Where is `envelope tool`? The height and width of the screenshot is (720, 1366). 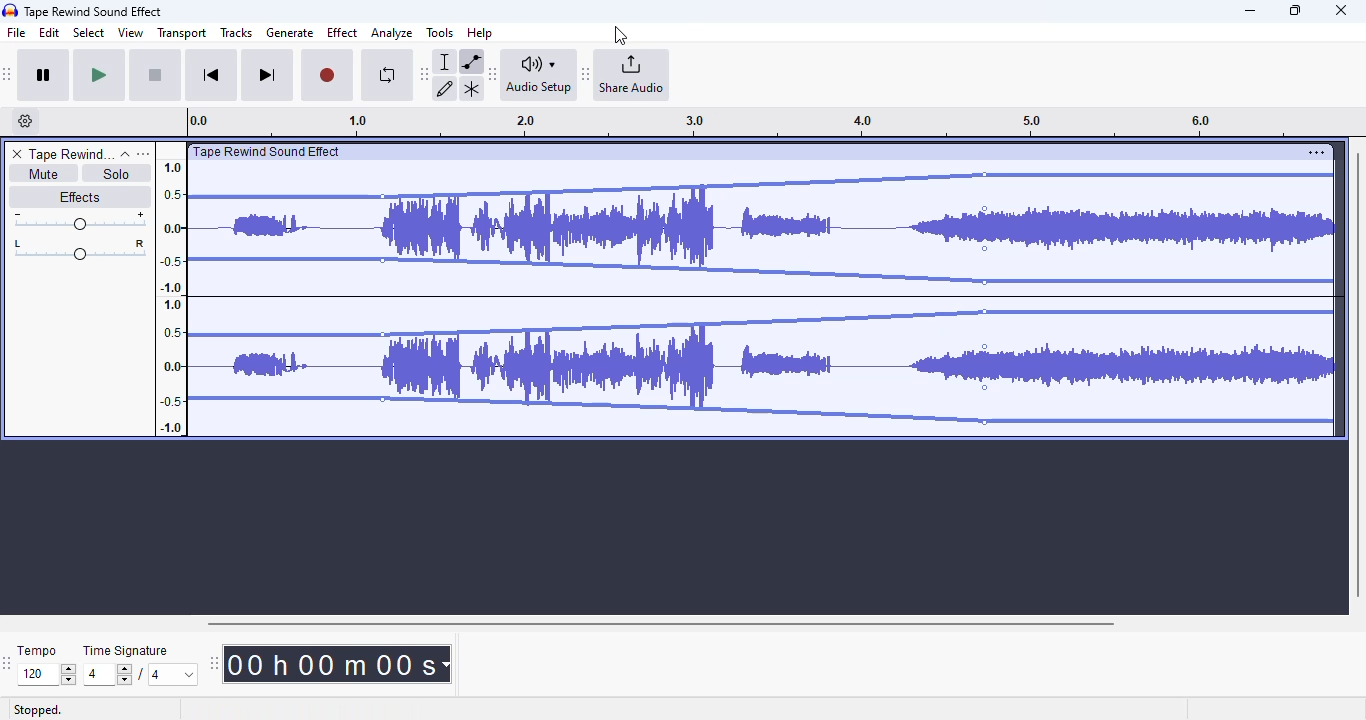
envelope tool is located at coordinates (471, 61).